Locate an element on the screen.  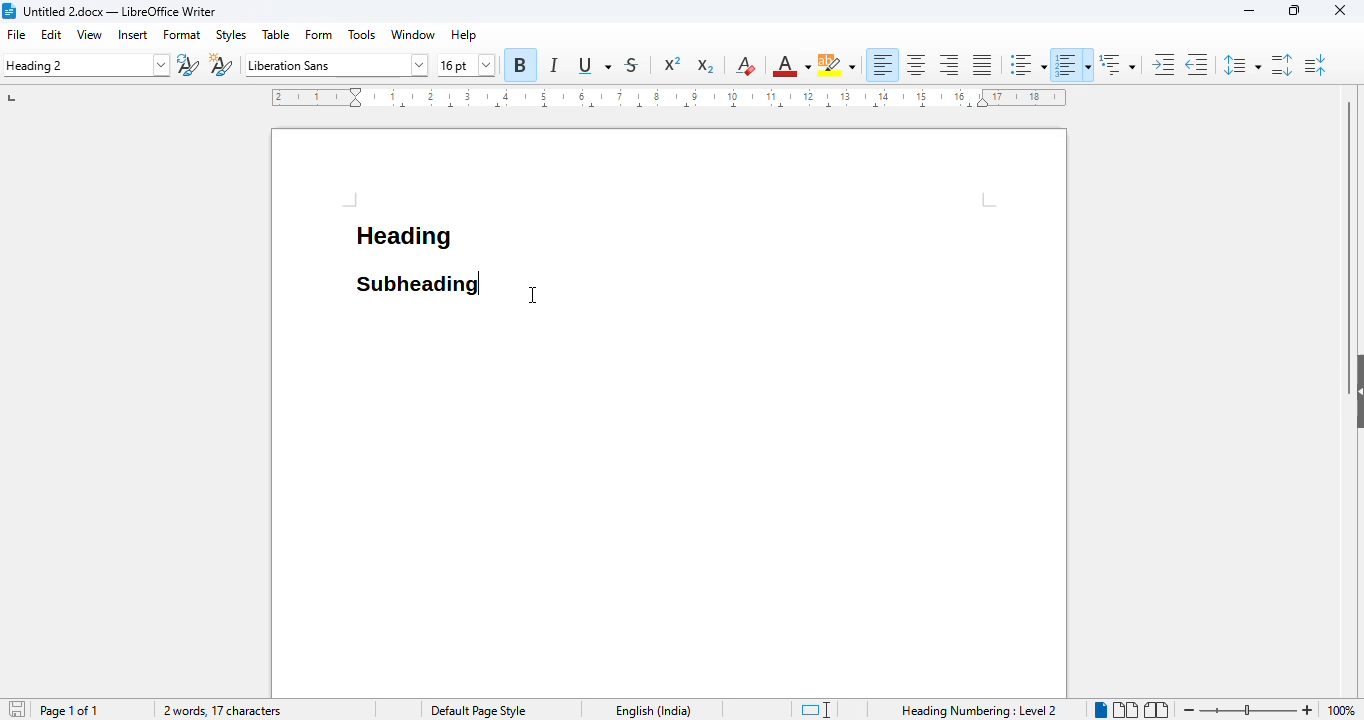
tools is located at coordinates (361, 34).